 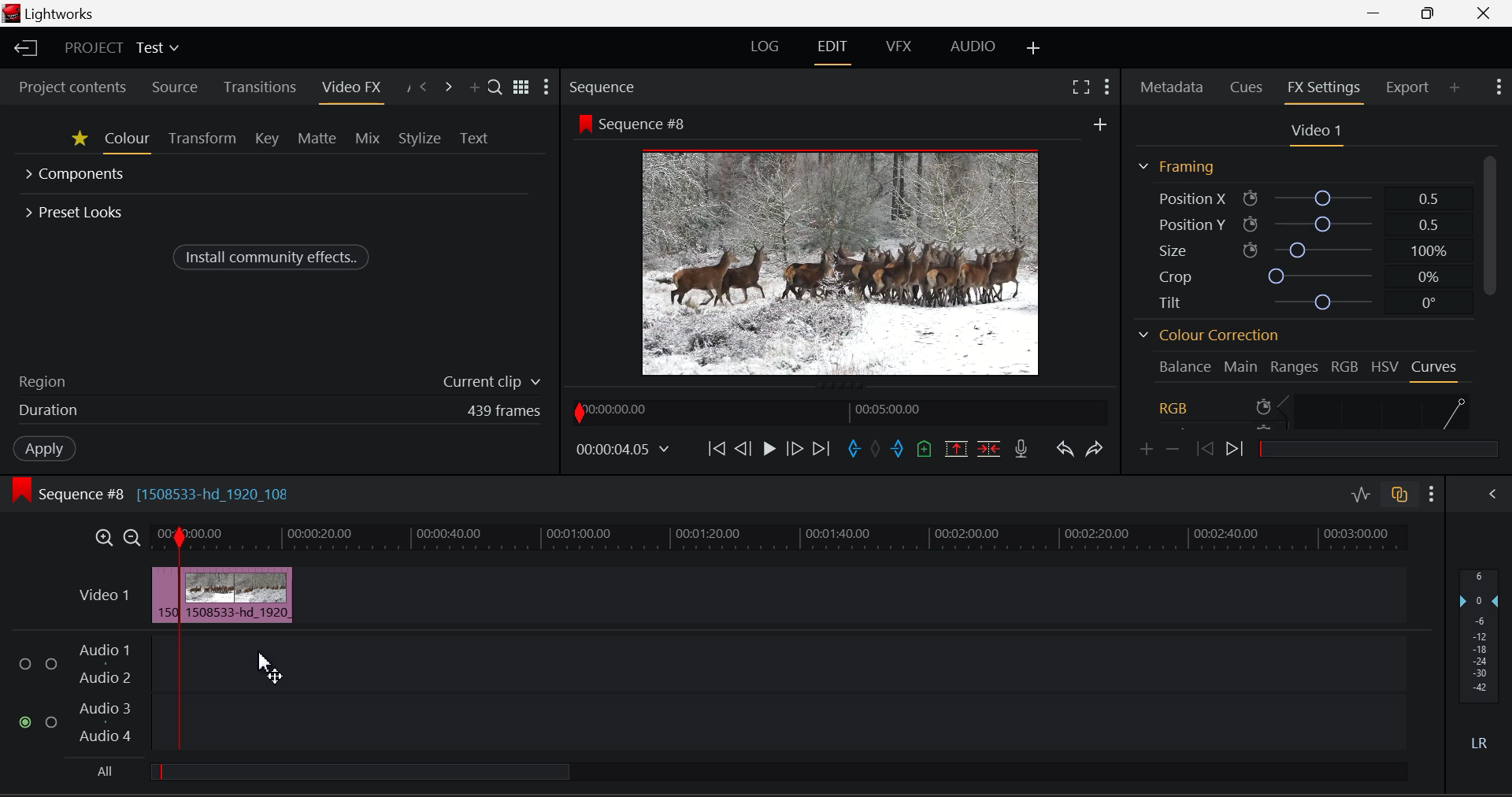 I want to click on Toggle audio track sync, so click(x=1399, y=498).